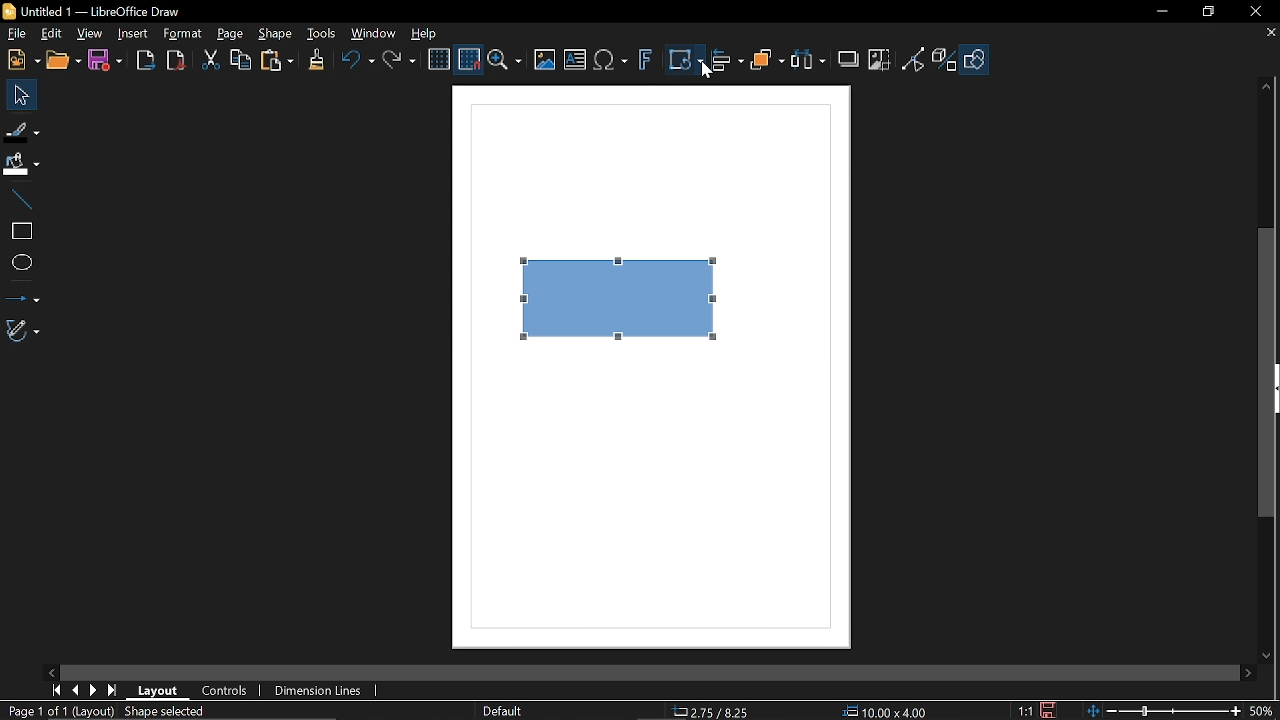 The image size is (1280, 720). Describe the element at coordinates (714, 712) in the screenshot. I see `2.75/8.25 (Cursor Position)` at that location.